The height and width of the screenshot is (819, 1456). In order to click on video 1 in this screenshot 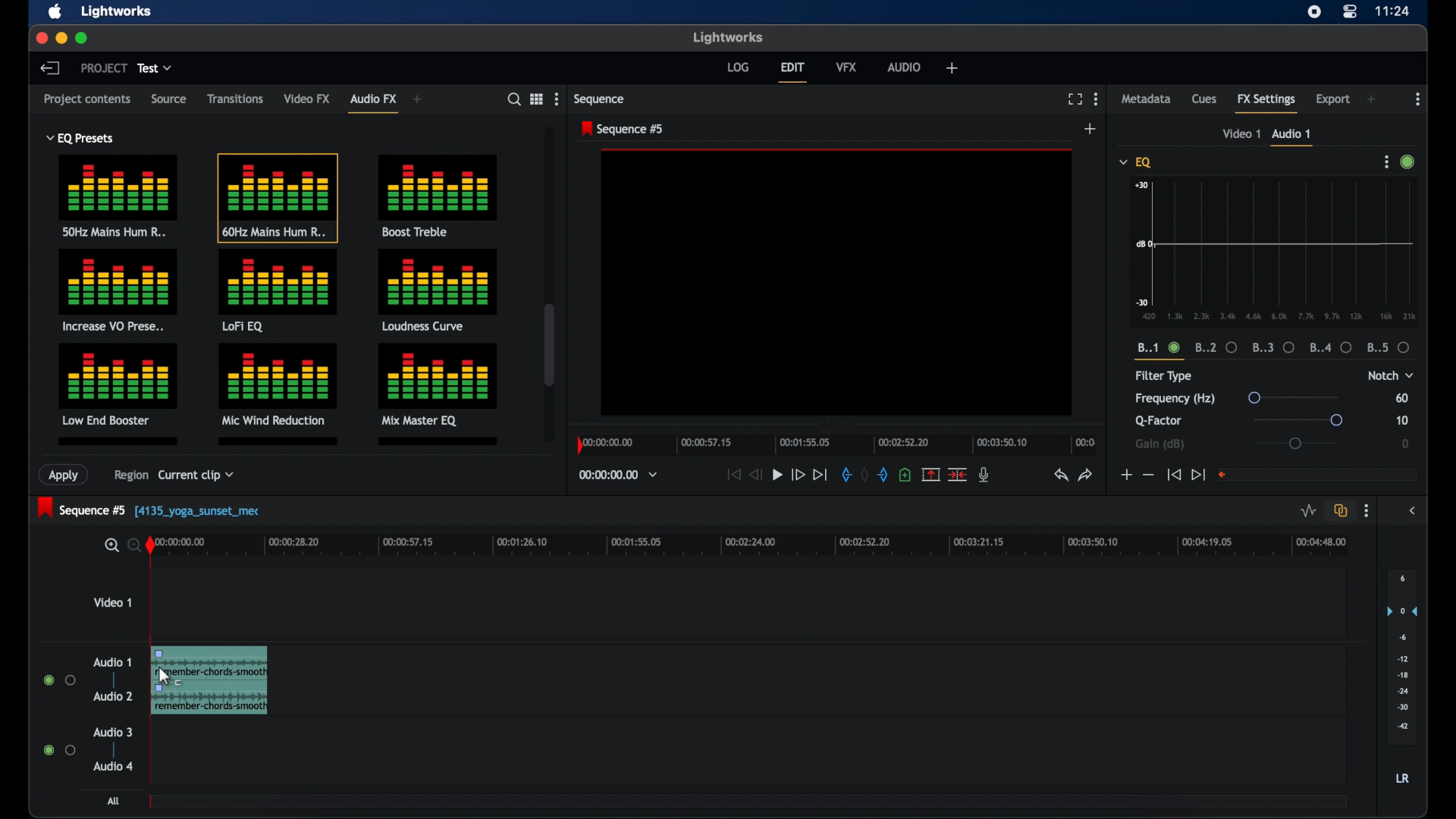, I will do `click(1241, 136)`.